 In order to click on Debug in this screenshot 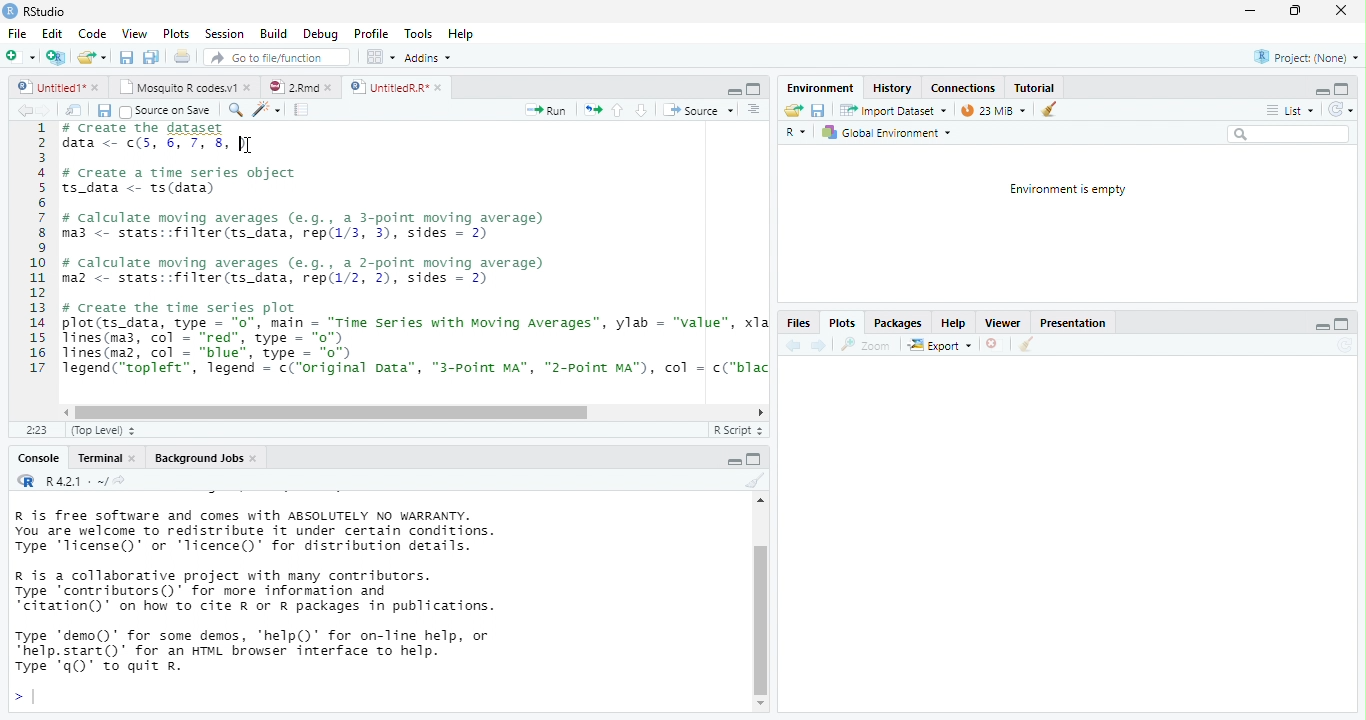, I will do `click(320, 34)`.